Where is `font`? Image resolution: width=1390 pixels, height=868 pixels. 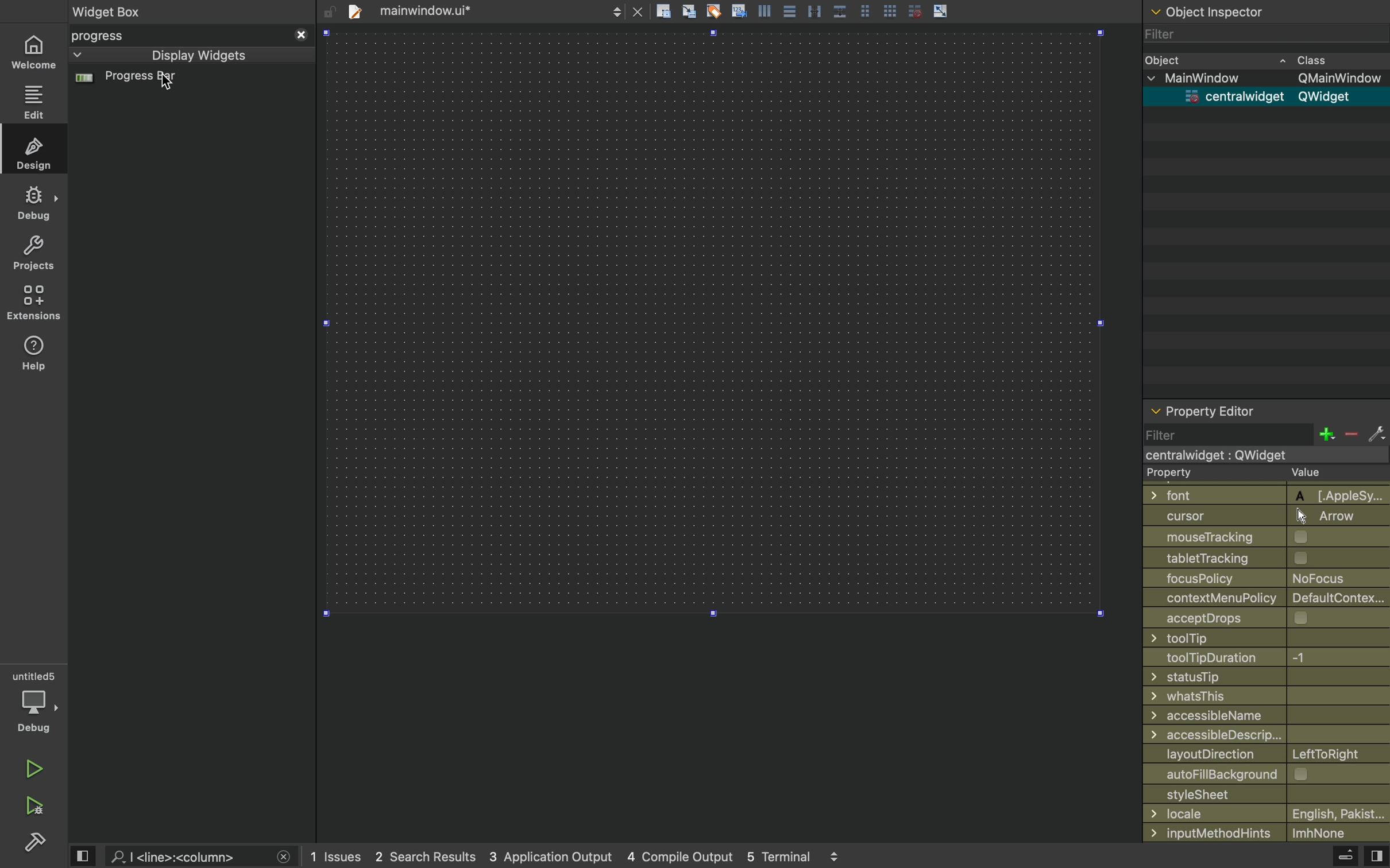 font is located at coordinates (1260, 494).